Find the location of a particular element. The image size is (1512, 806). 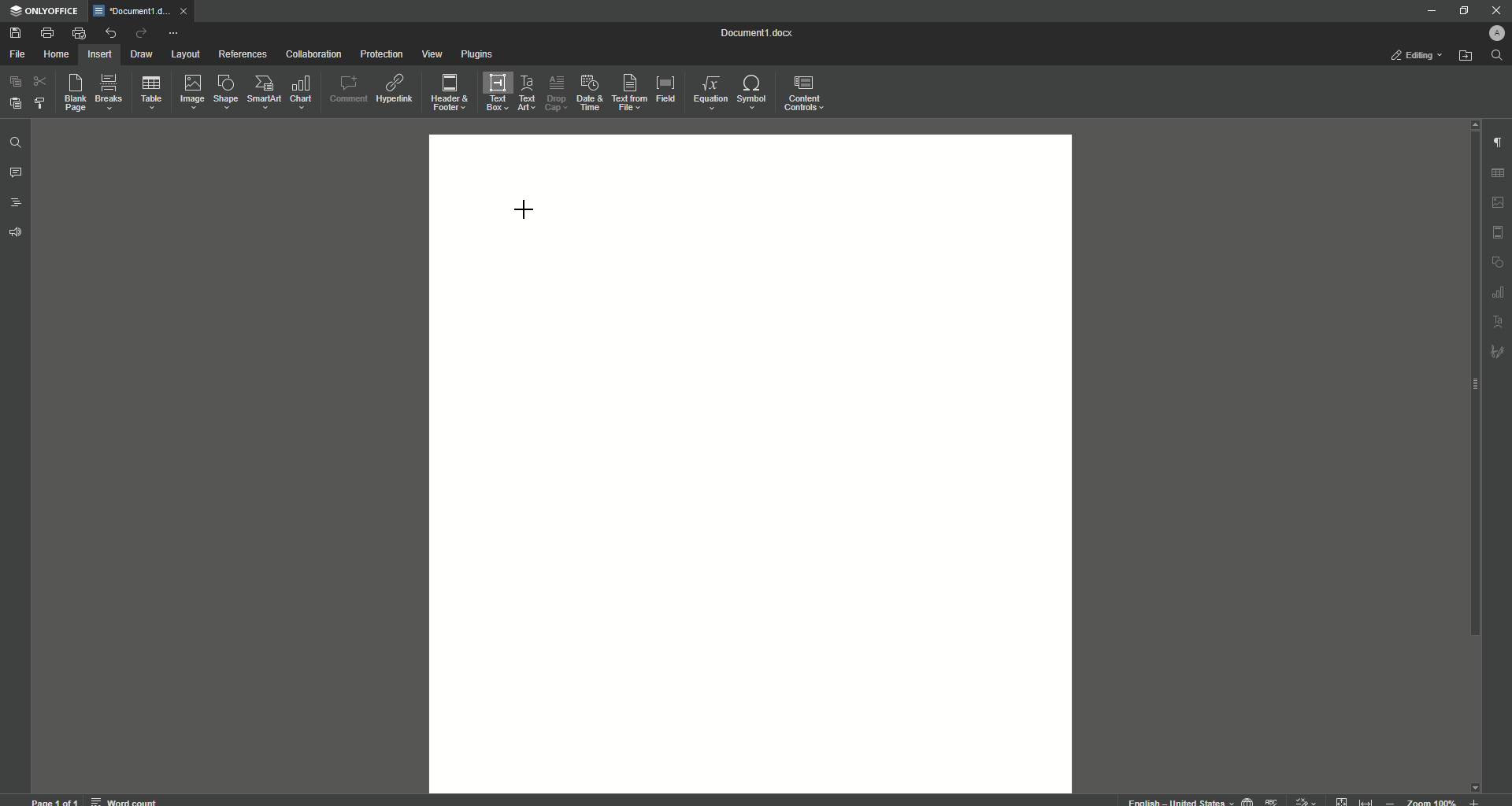

Restore is located at coordinates (1462, 11).